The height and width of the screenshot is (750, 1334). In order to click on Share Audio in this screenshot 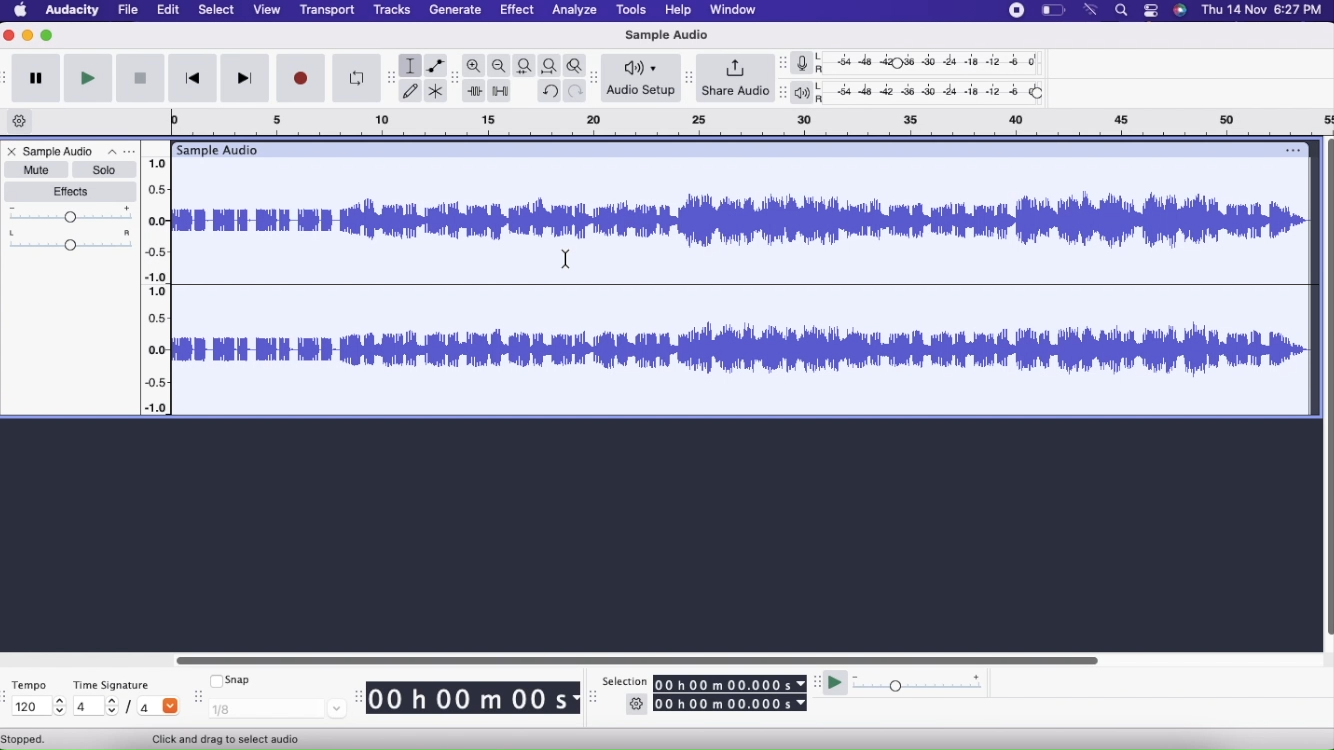, I will do `click(736, 79)`.